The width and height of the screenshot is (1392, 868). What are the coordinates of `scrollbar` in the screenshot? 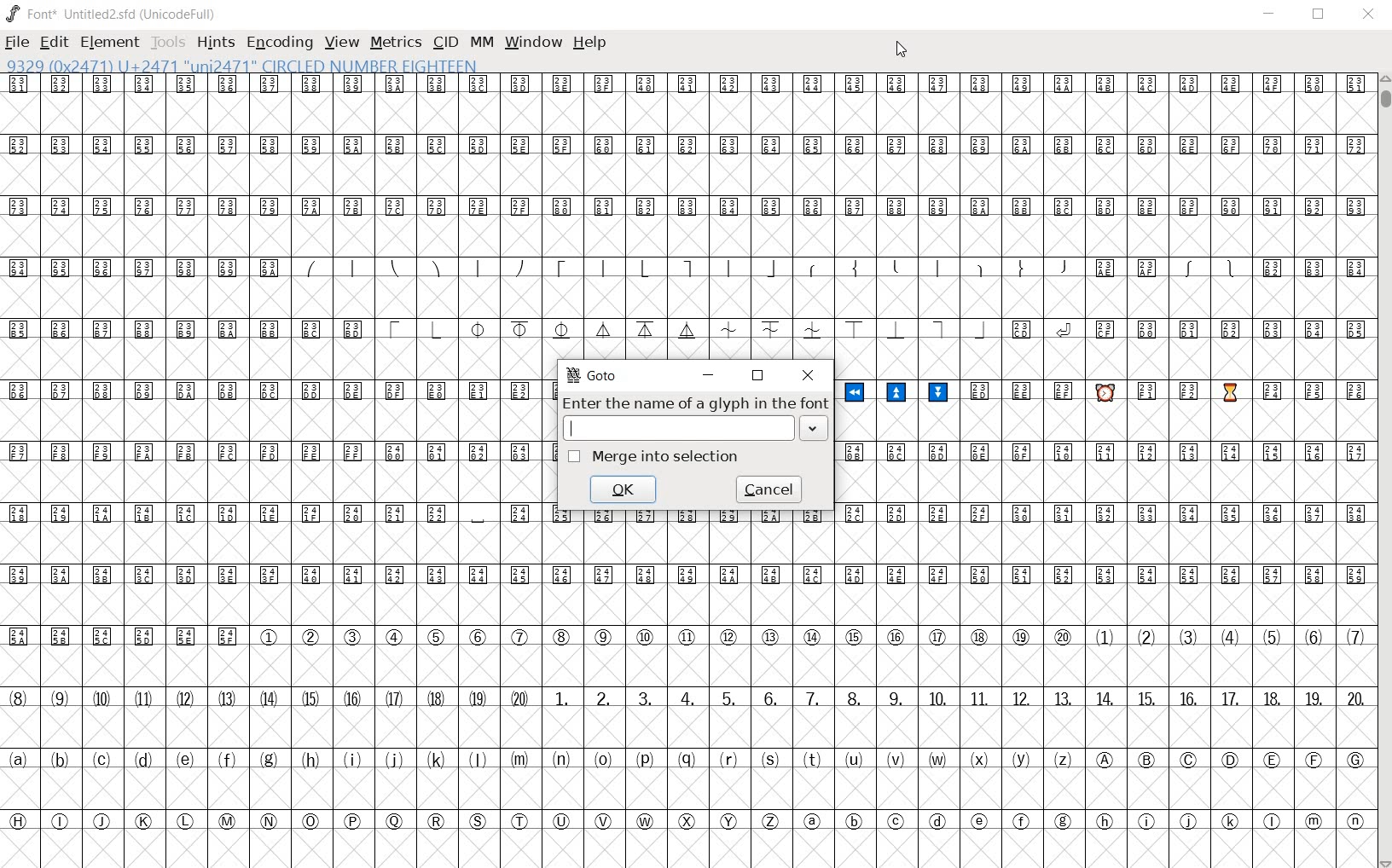 It's located at (1383, 471).